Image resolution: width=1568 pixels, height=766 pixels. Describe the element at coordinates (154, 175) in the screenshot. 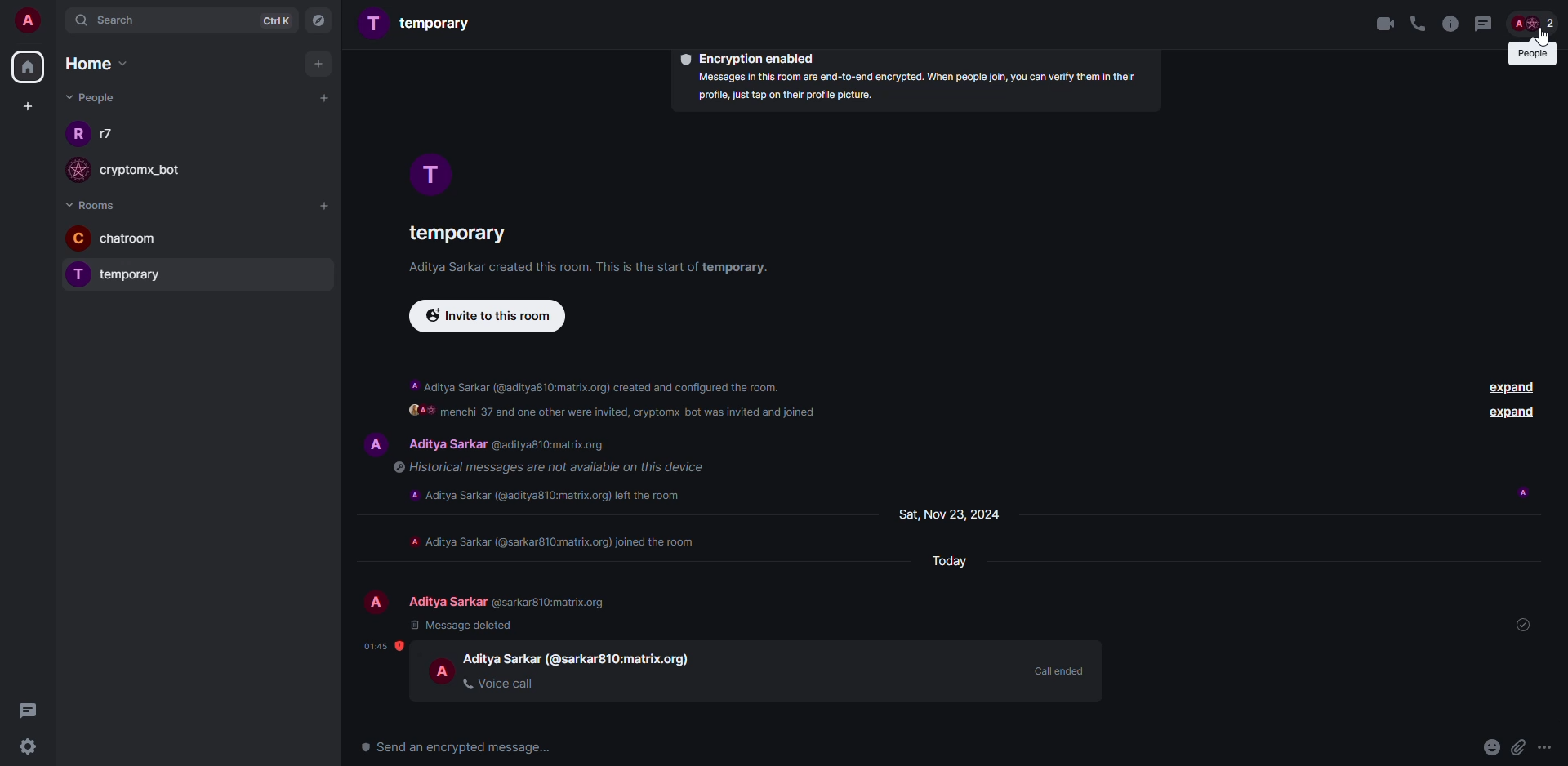

I see `people` at that location.